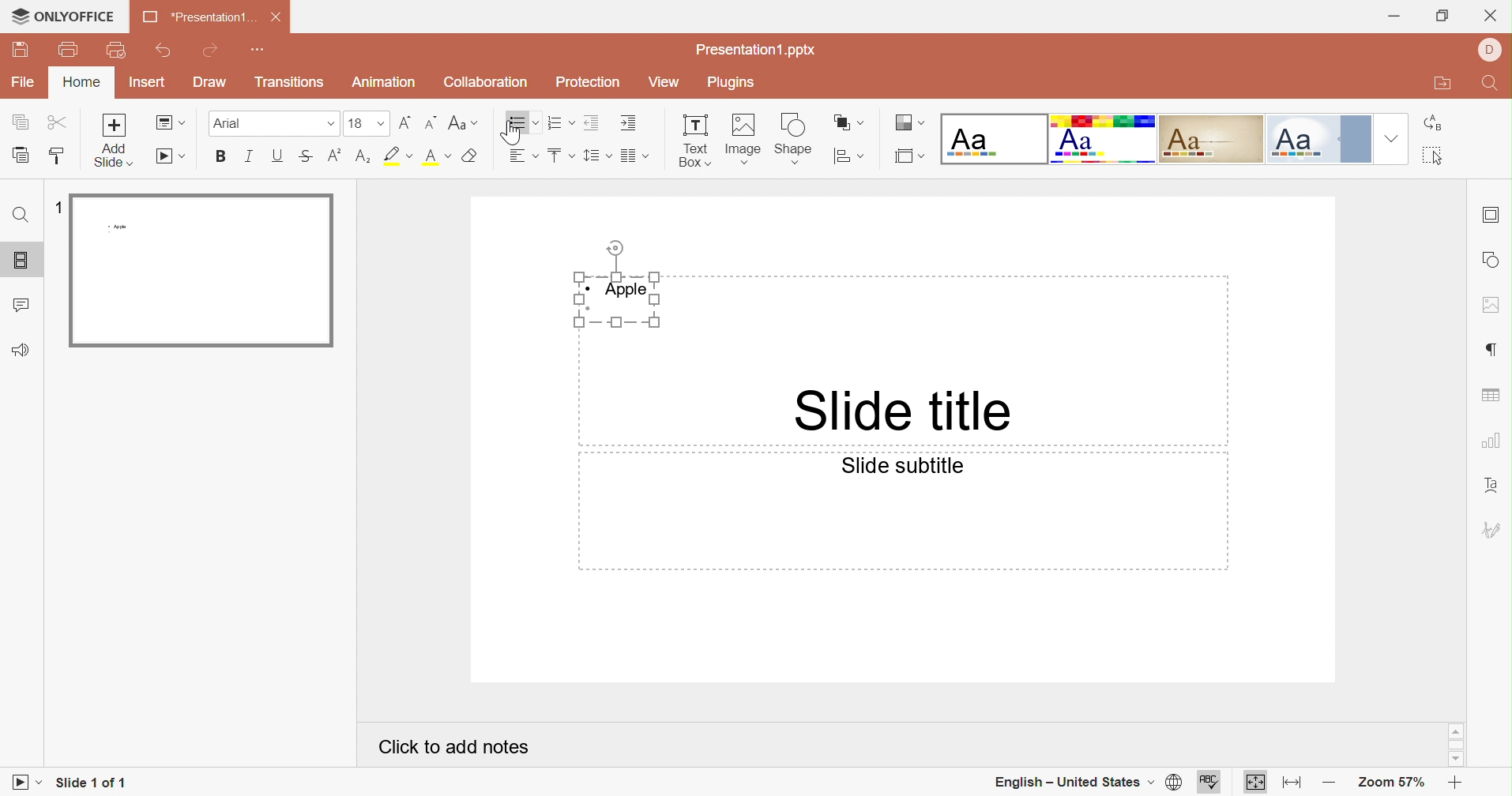 This screenshot has height=796, width=1512. I want to click on Presentation1, so click(194, 19).